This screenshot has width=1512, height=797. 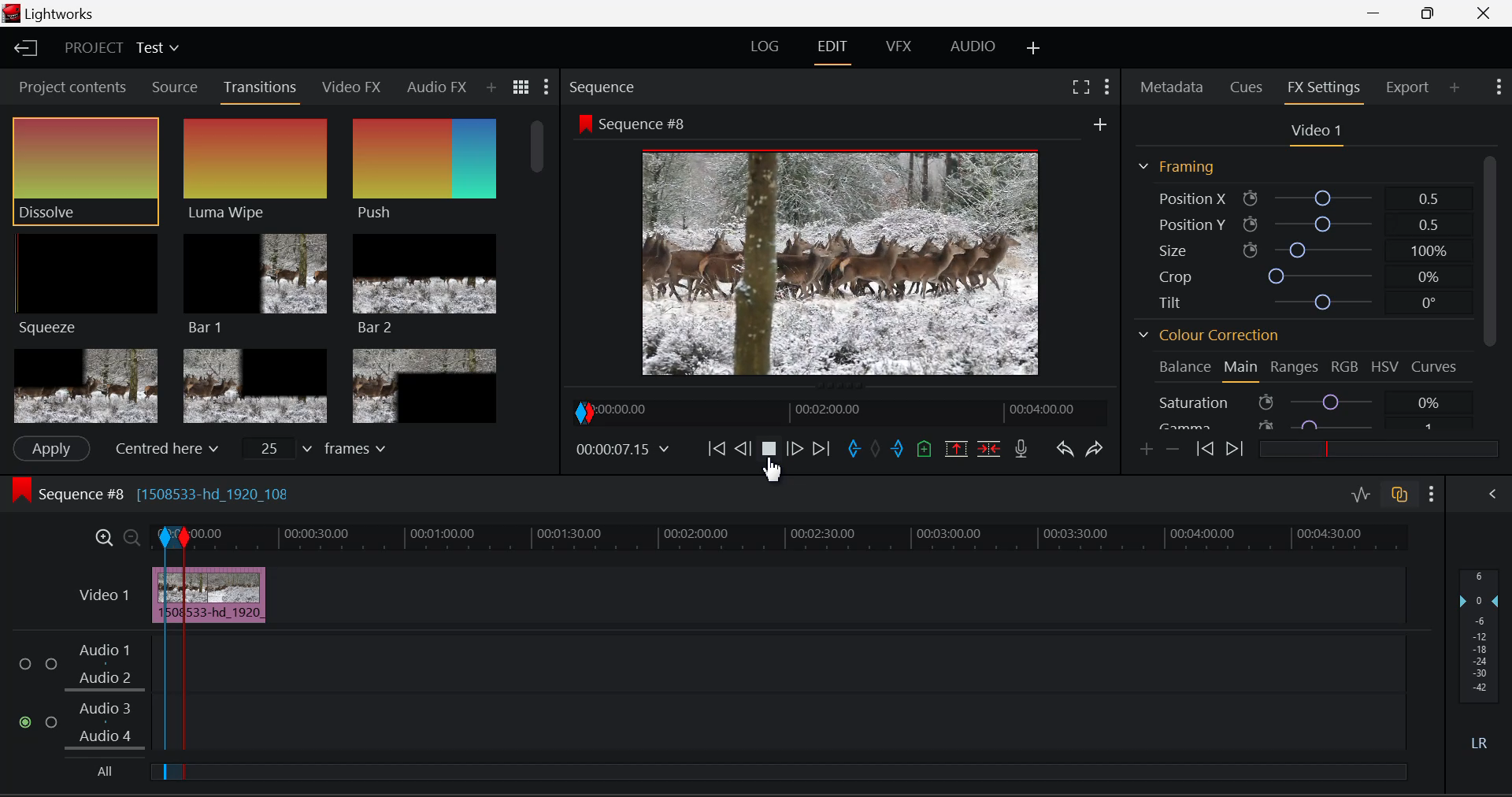 What do you see at coordinates (1436, 367) in the screenshot?
I see `Curves` at bounding box center [1436, 367].